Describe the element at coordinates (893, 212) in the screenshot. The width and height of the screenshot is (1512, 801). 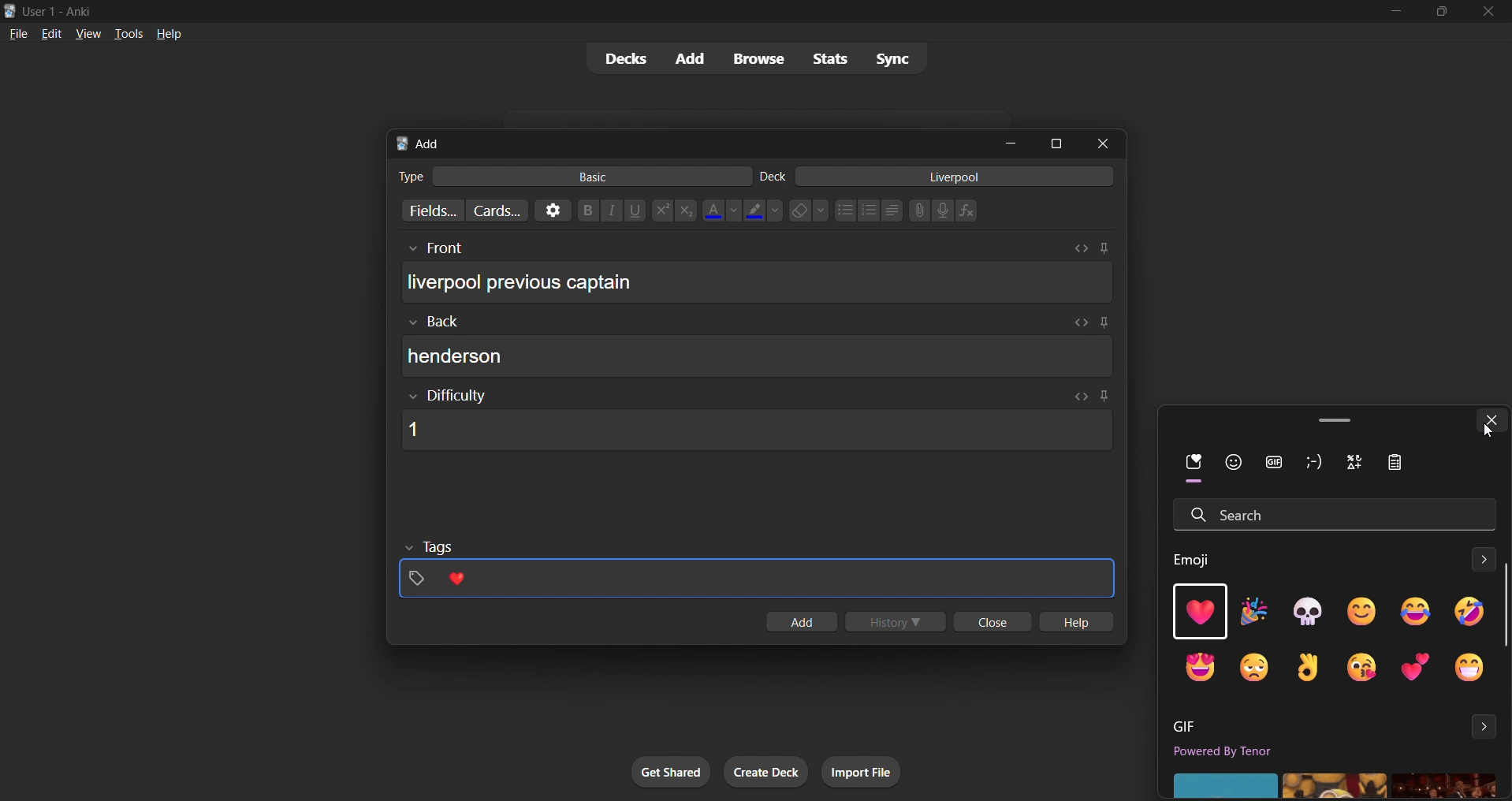
I see `multilevel list` at that location.